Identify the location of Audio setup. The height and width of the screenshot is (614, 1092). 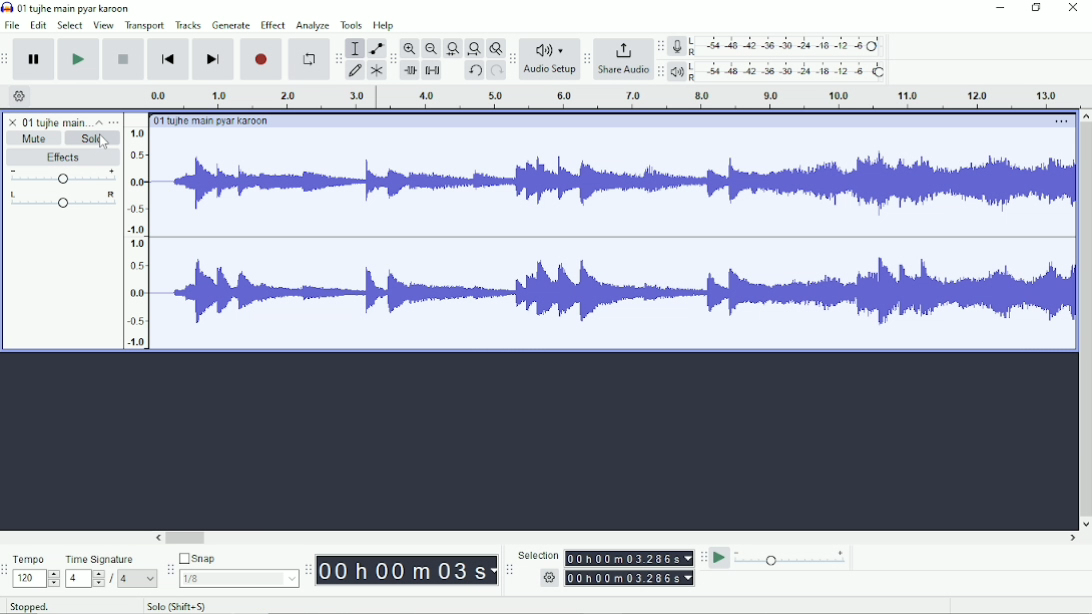
(549, 60).